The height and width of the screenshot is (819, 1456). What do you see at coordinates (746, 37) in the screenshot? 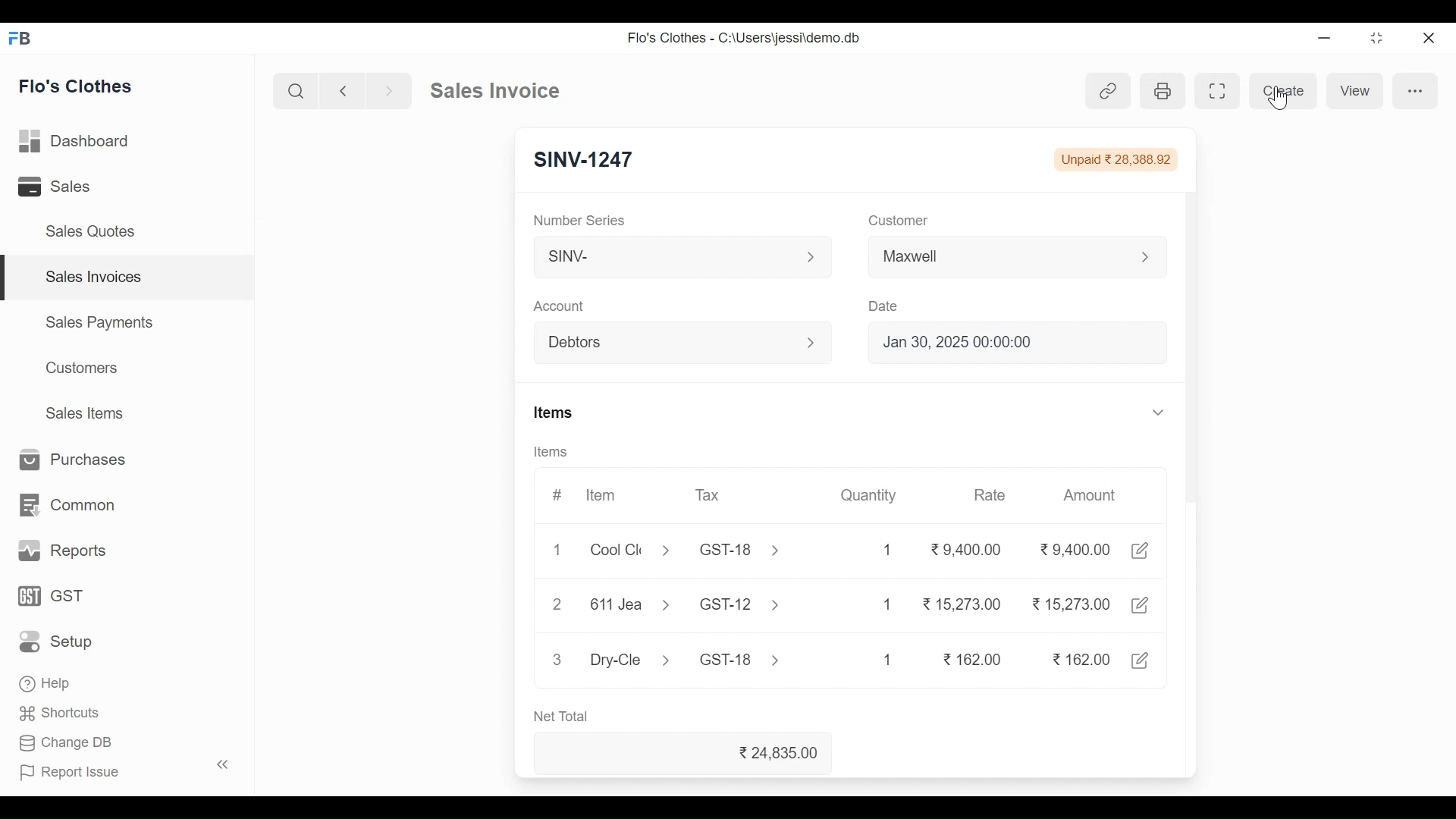
I see `Flo's Clothes - C:\Users\jessi\demo.db` at bounding box center [746, 37].